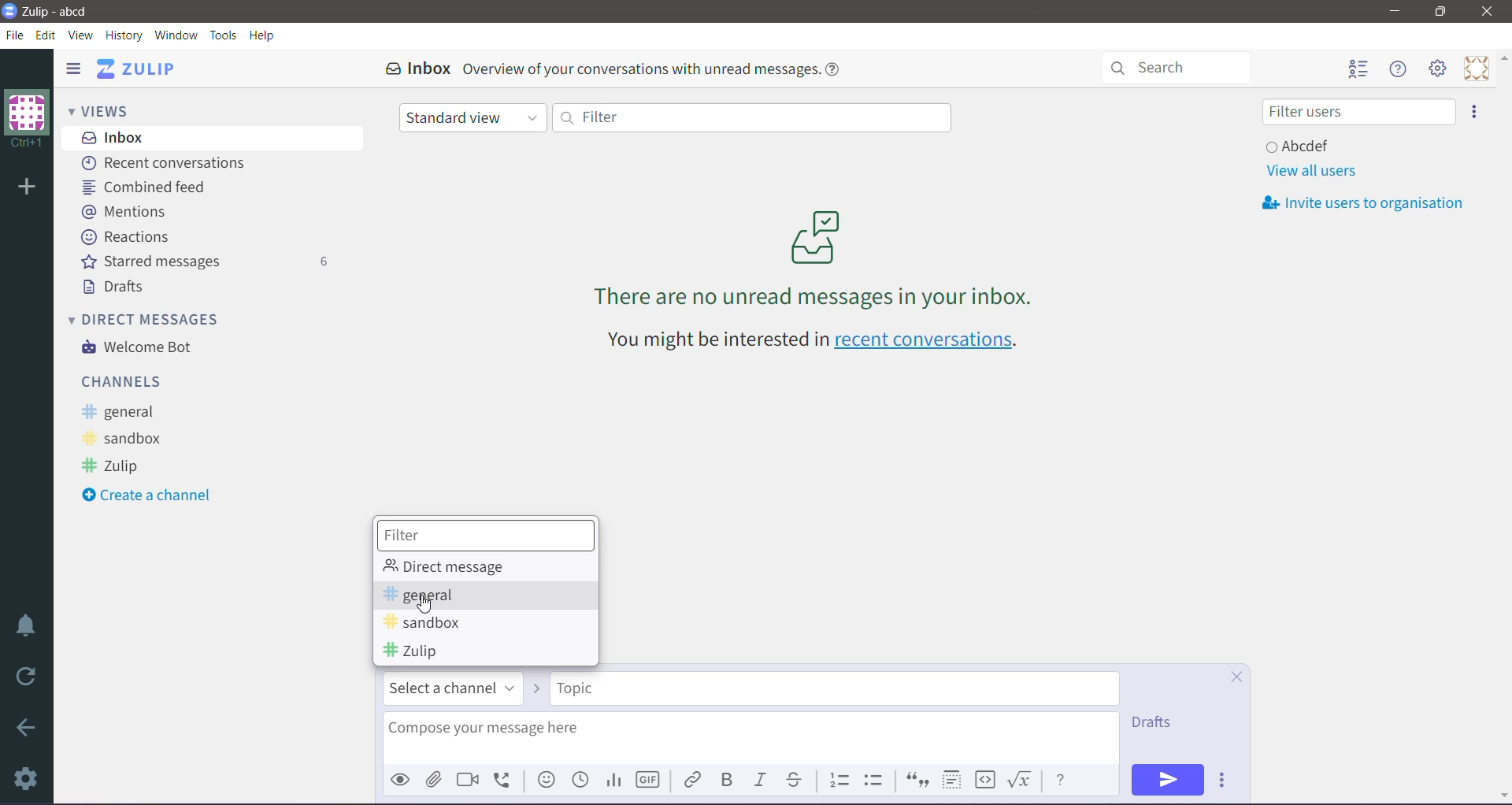 This screenshot has width=1512, height=805. I want to click on Personal Menu, so click(1477, 69).